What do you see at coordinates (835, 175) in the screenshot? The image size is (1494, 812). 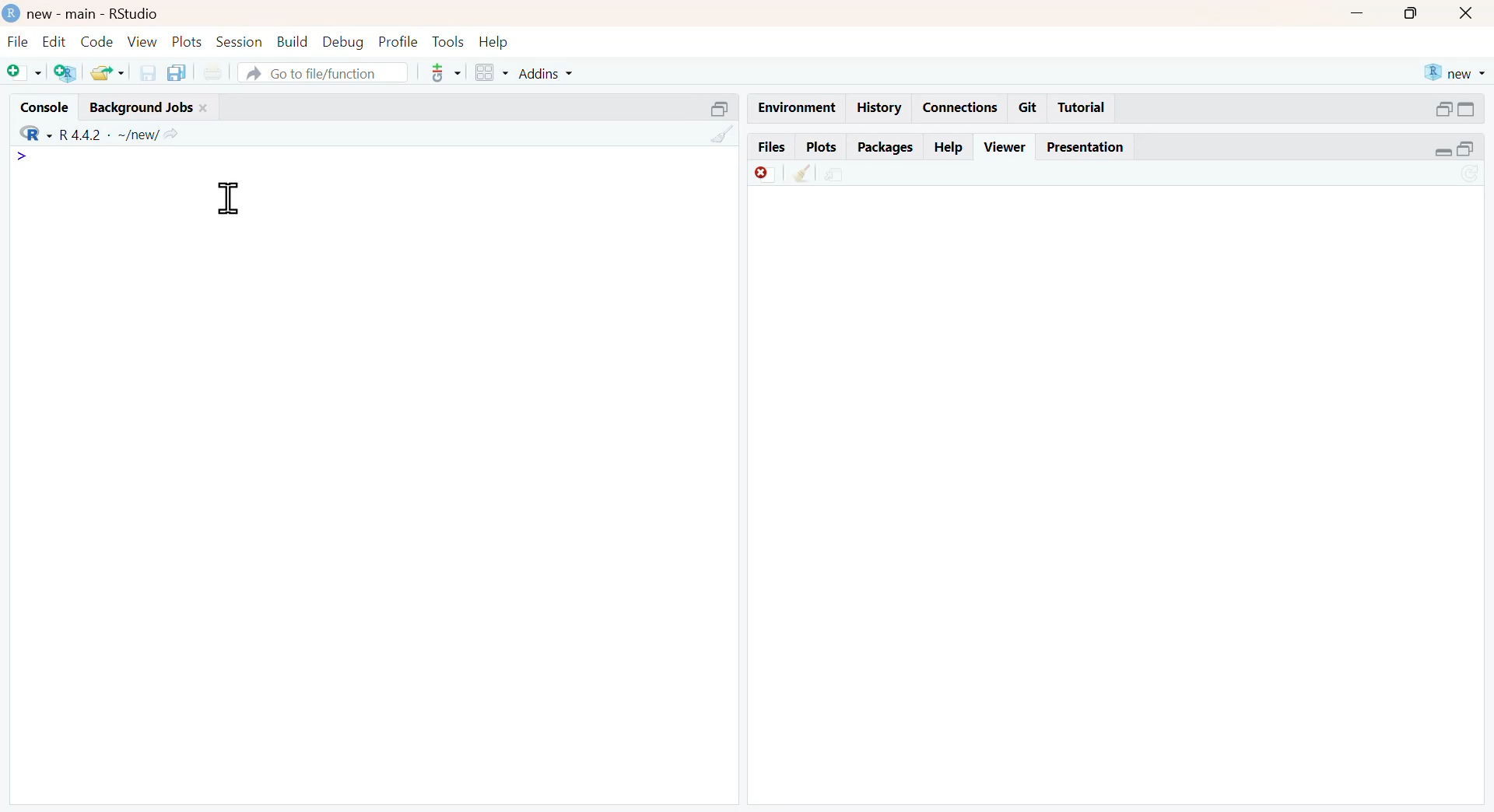 I see `share` at bounding box center [835, 175].